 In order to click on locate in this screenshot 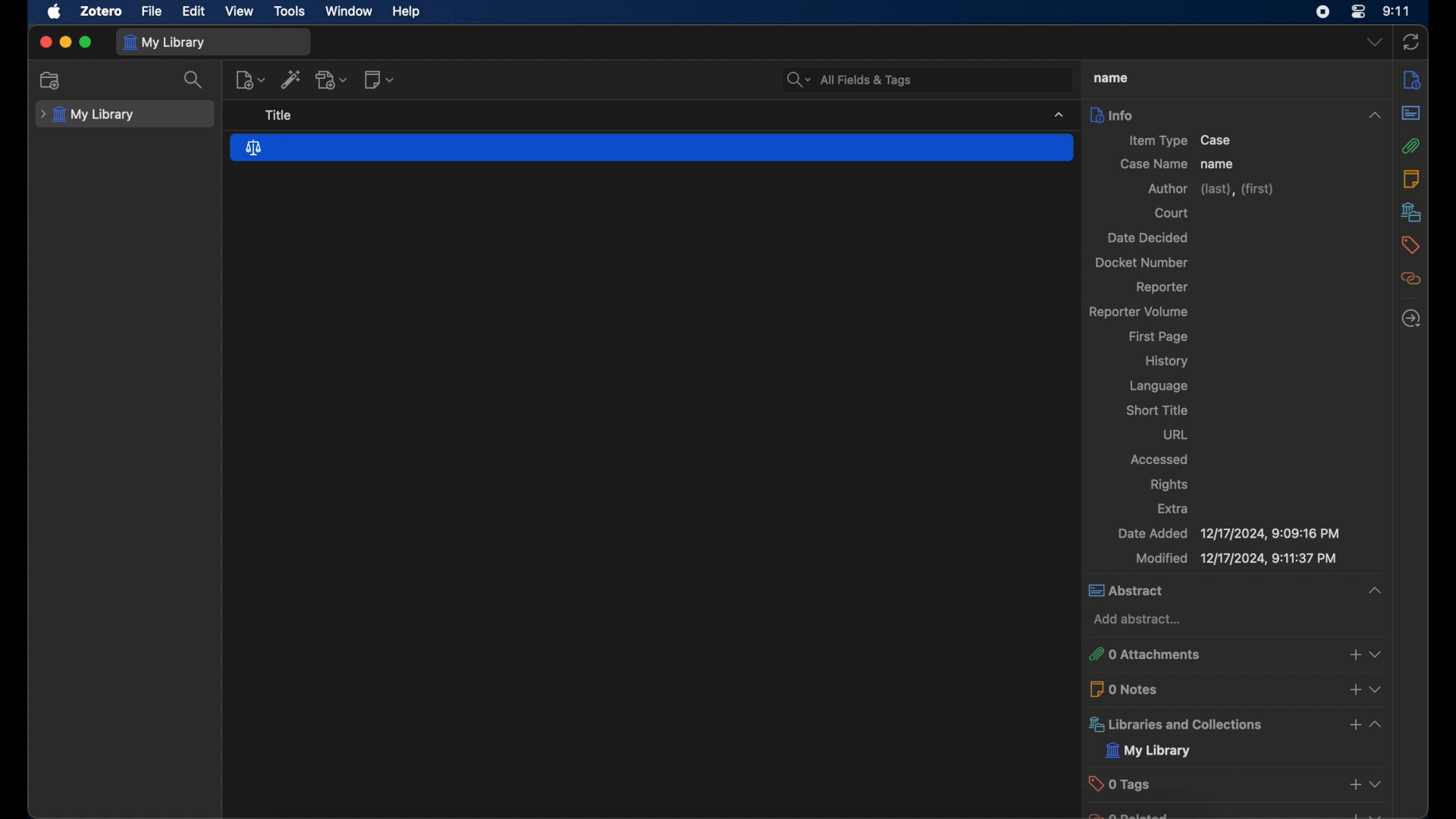, I will do `click(1411, 318)`.